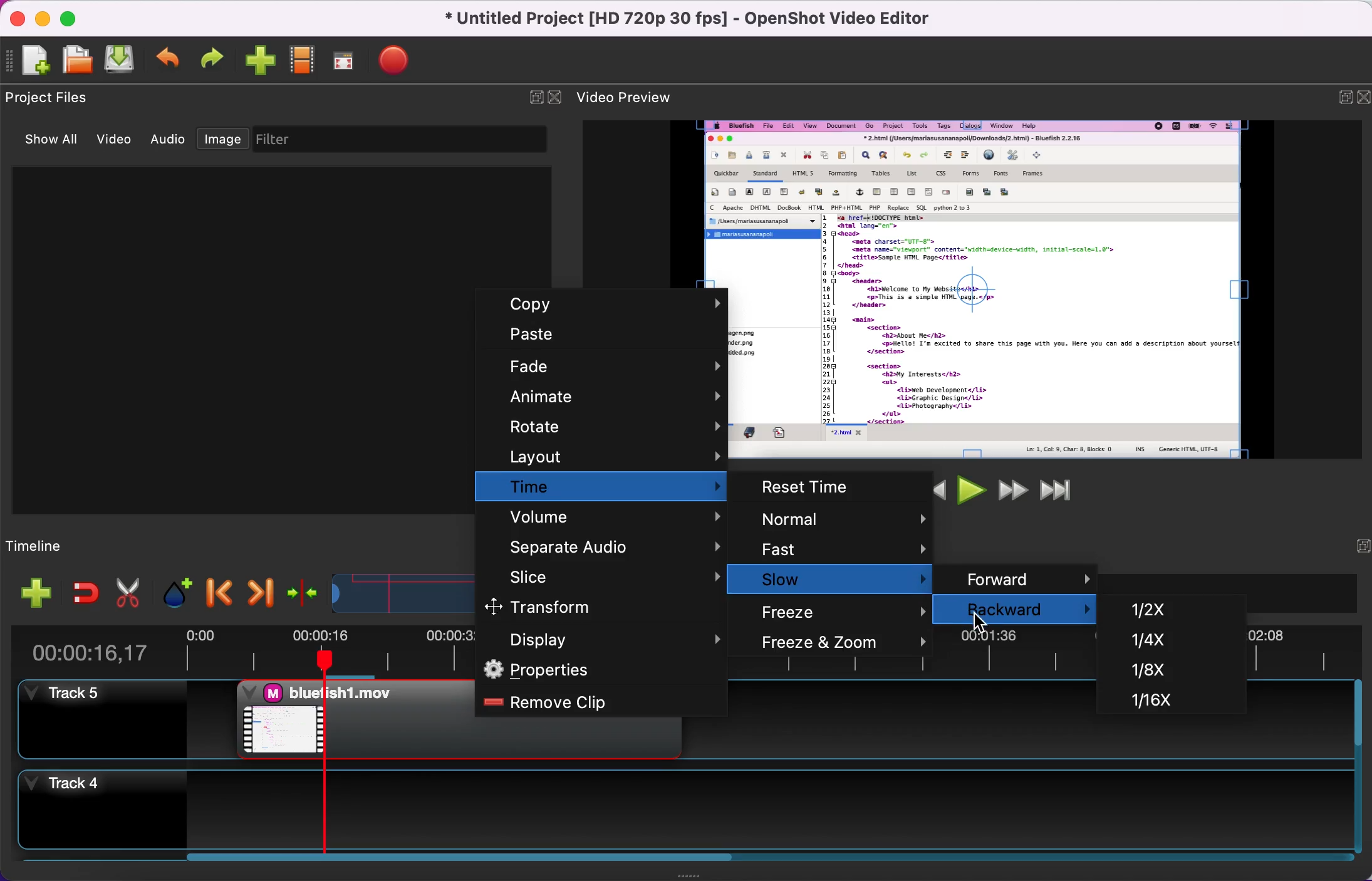  I want to click on maximize, so click(75, 17).